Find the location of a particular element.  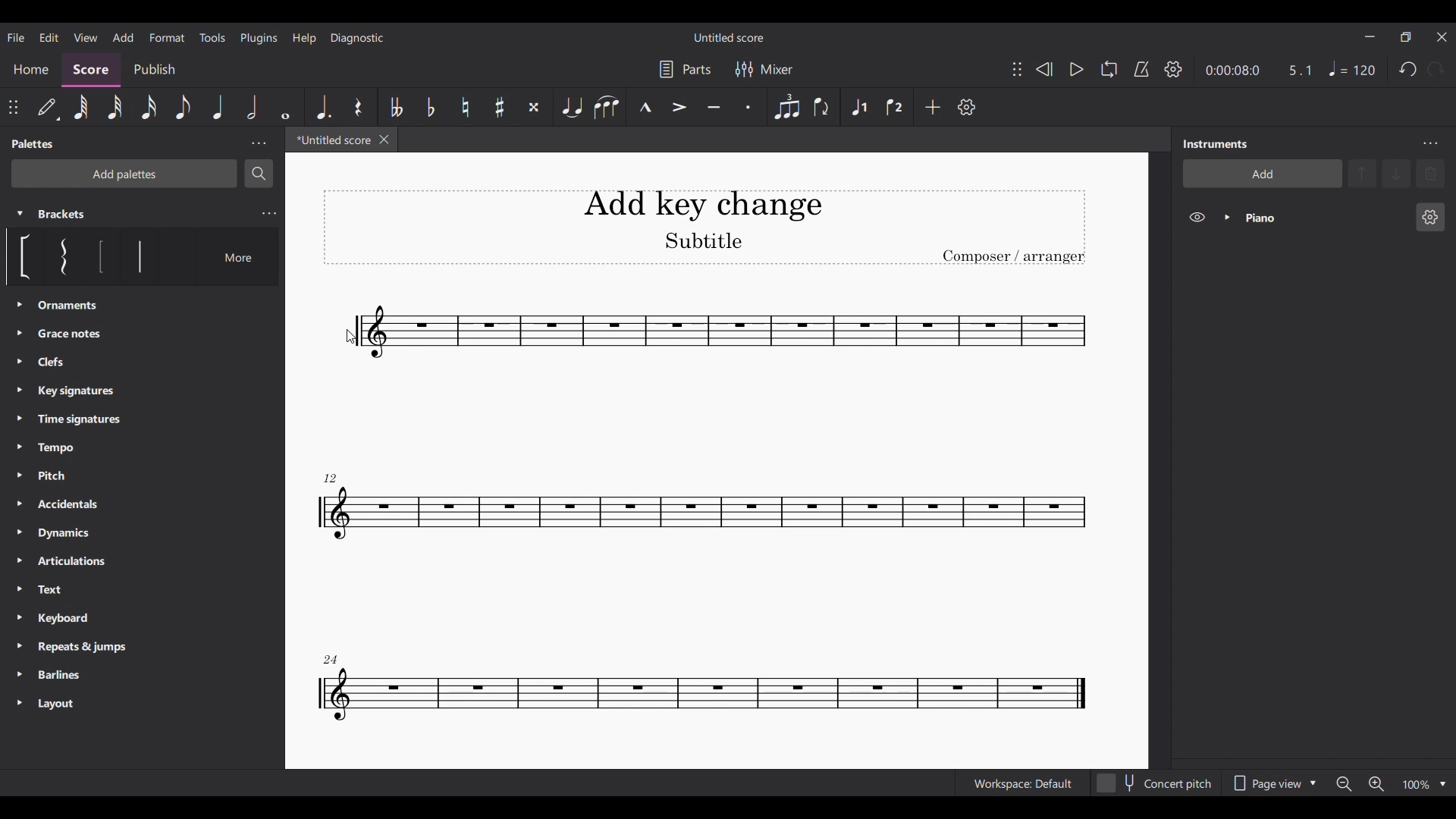

Rest is located at coordinates (358, 108).